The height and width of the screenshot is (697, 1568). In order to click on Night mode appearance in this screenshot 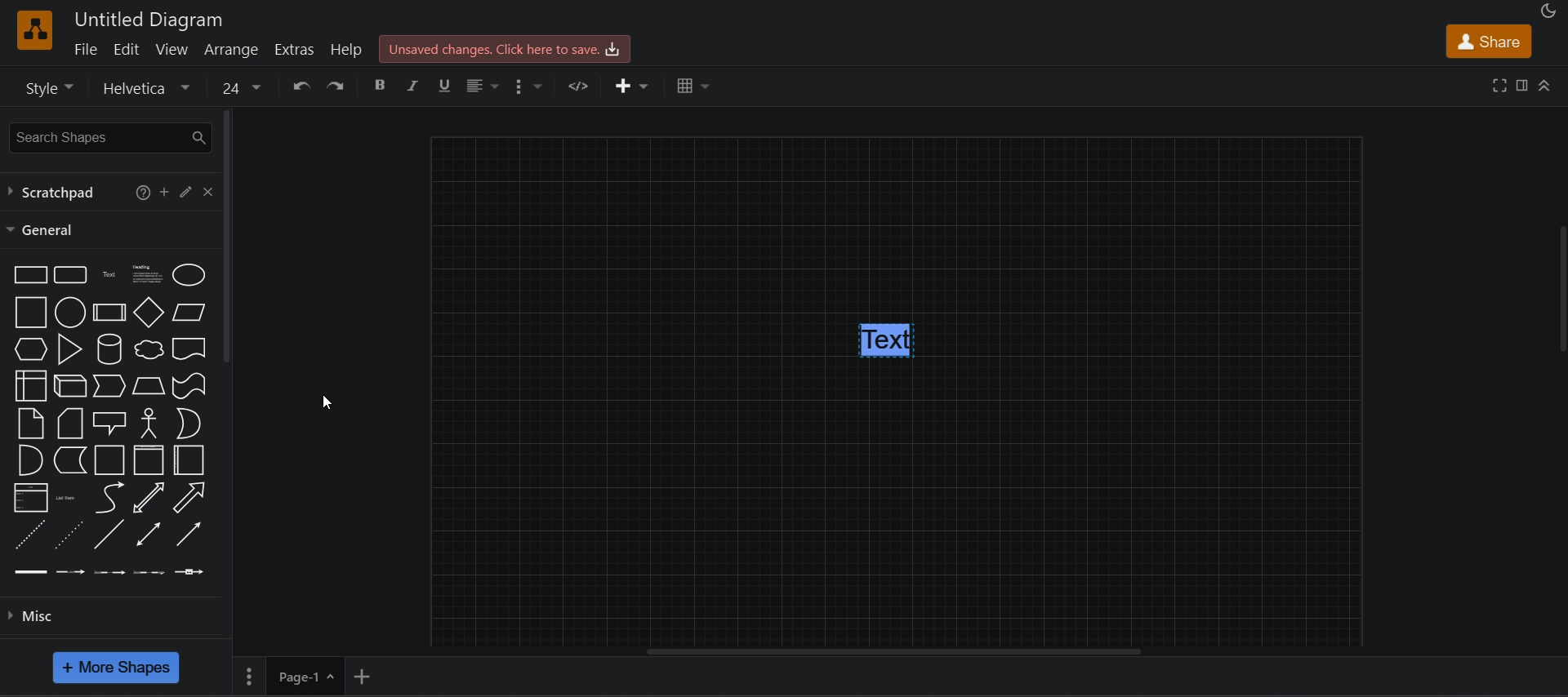, I will do `click(1549, 11)`.